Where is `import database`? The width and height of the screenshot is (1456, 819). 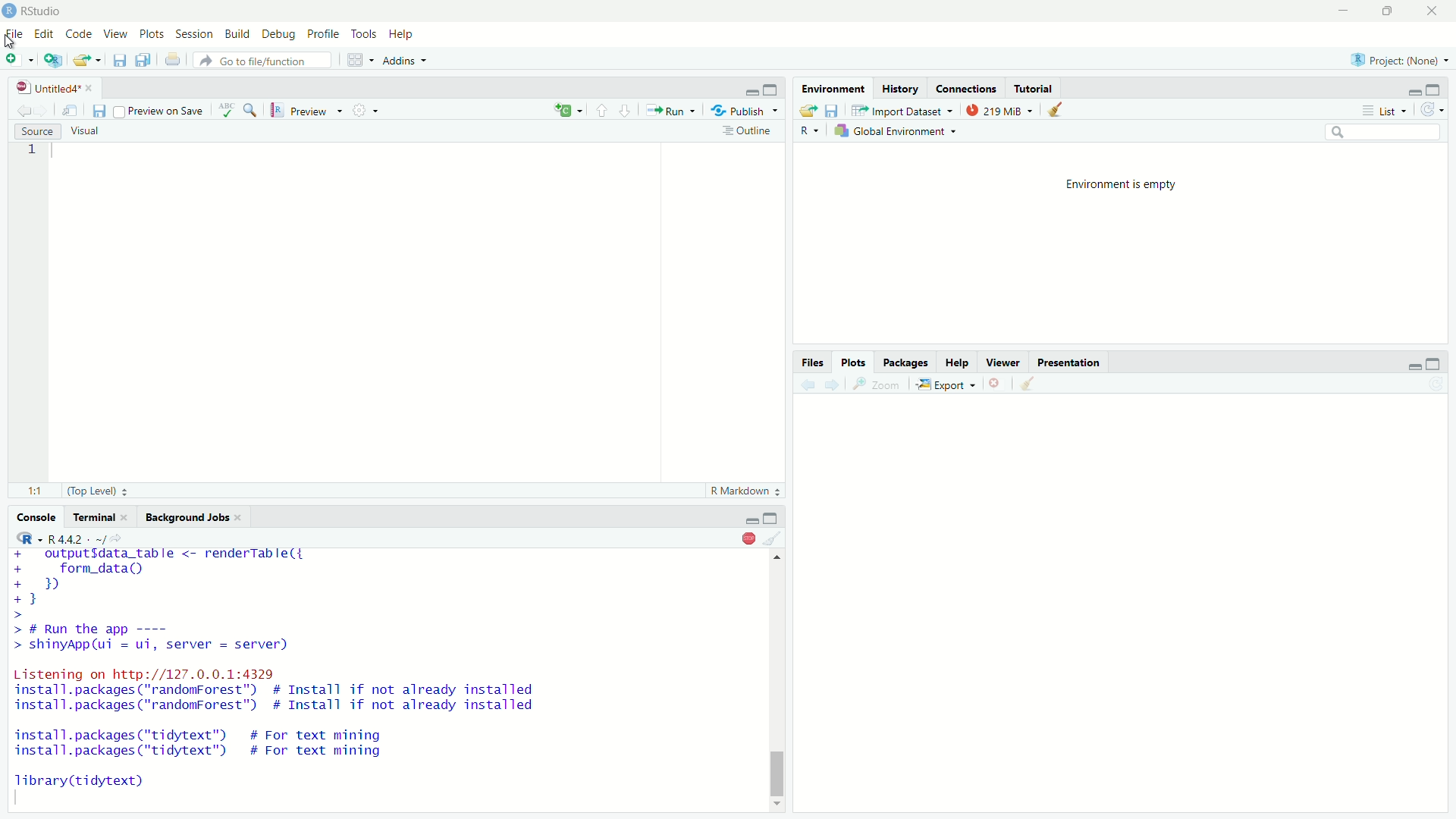 import database is located at coordinates (903, 111).